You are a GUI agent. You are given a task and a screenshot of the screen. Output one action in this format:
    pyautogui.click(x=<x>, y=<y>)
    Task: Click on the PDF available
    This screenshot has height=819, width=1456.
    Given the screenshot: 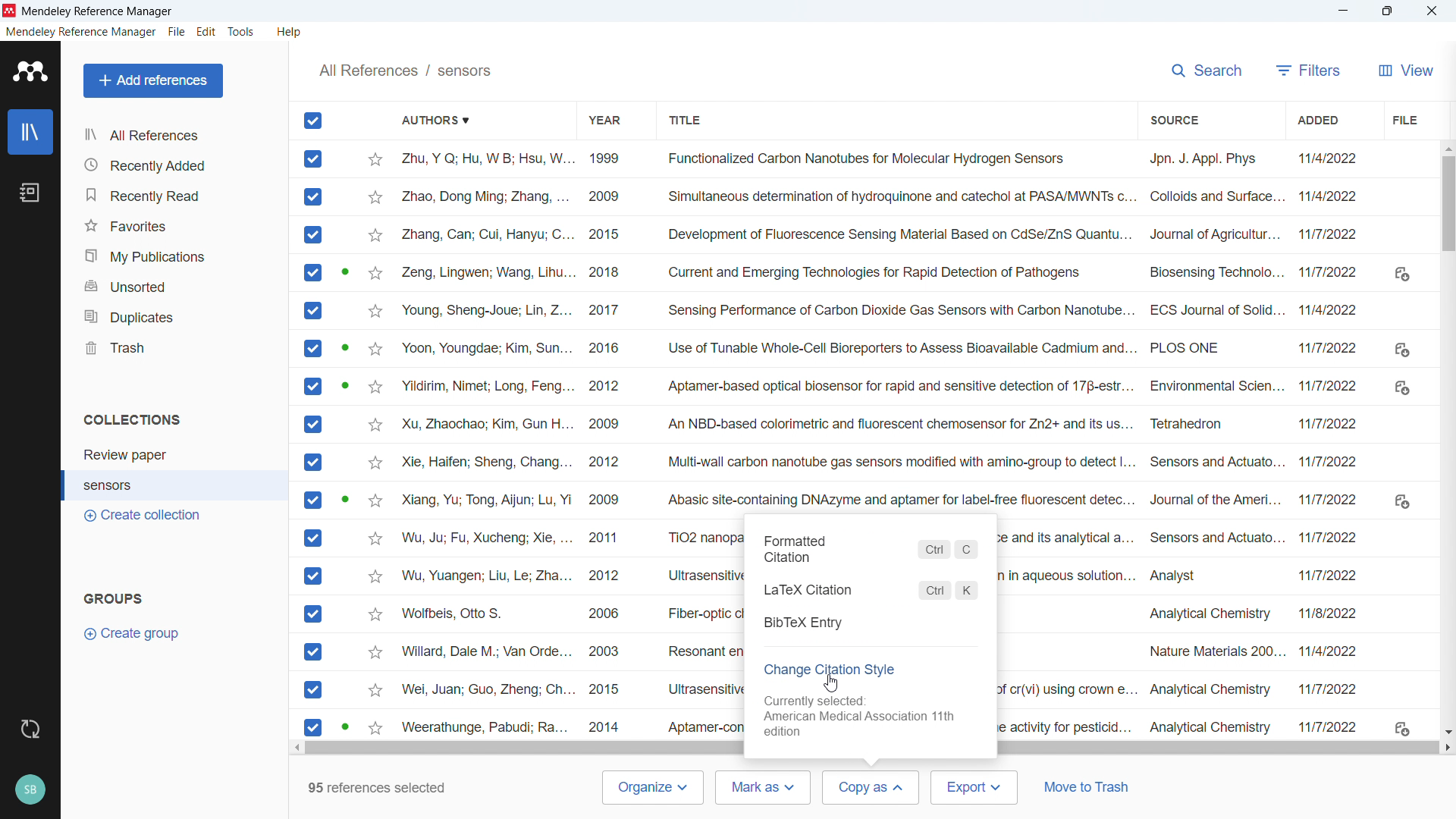 What is the action you would take?
    pyautogui.click(x=345, y=384)
    